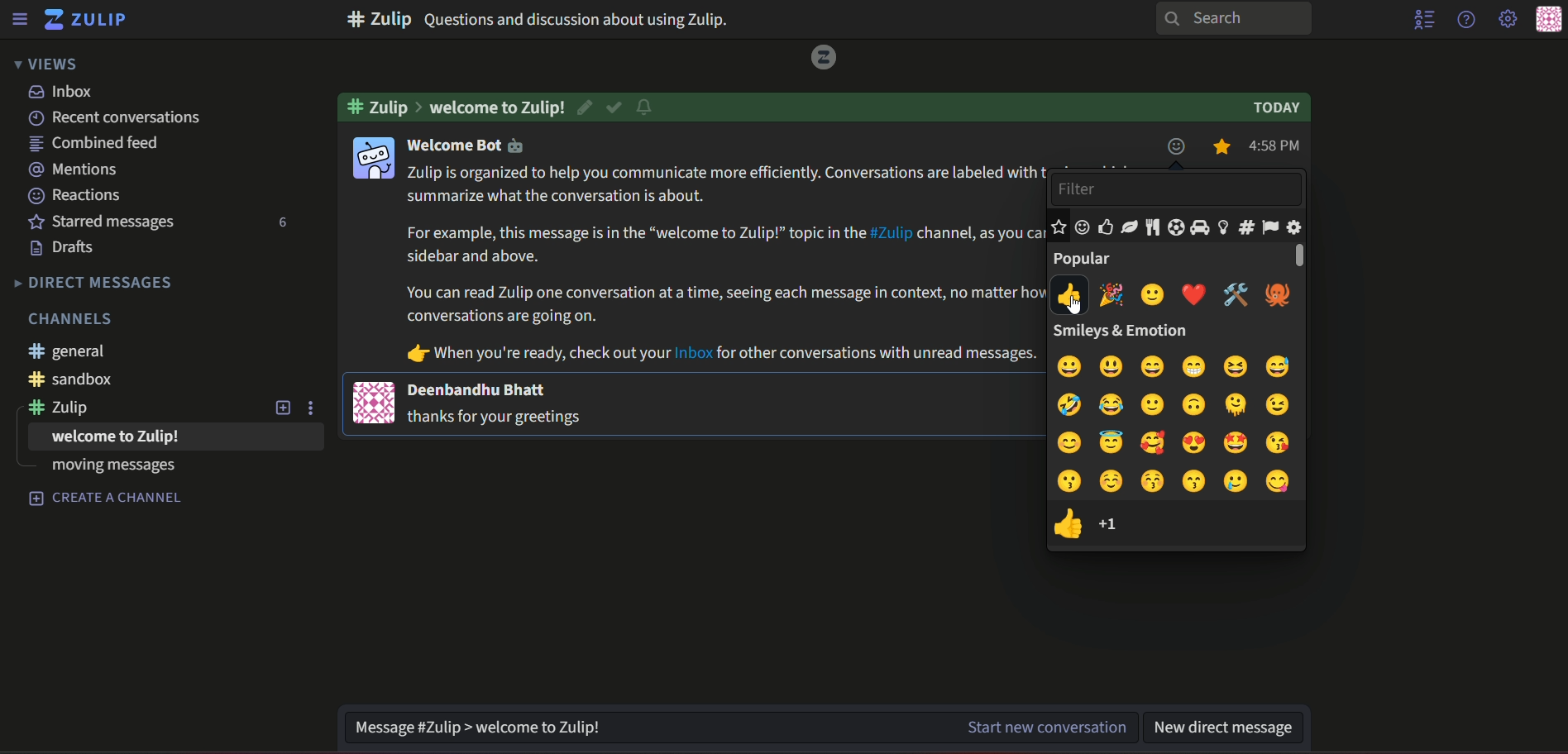  I want to click on Options, so click(316, 408).